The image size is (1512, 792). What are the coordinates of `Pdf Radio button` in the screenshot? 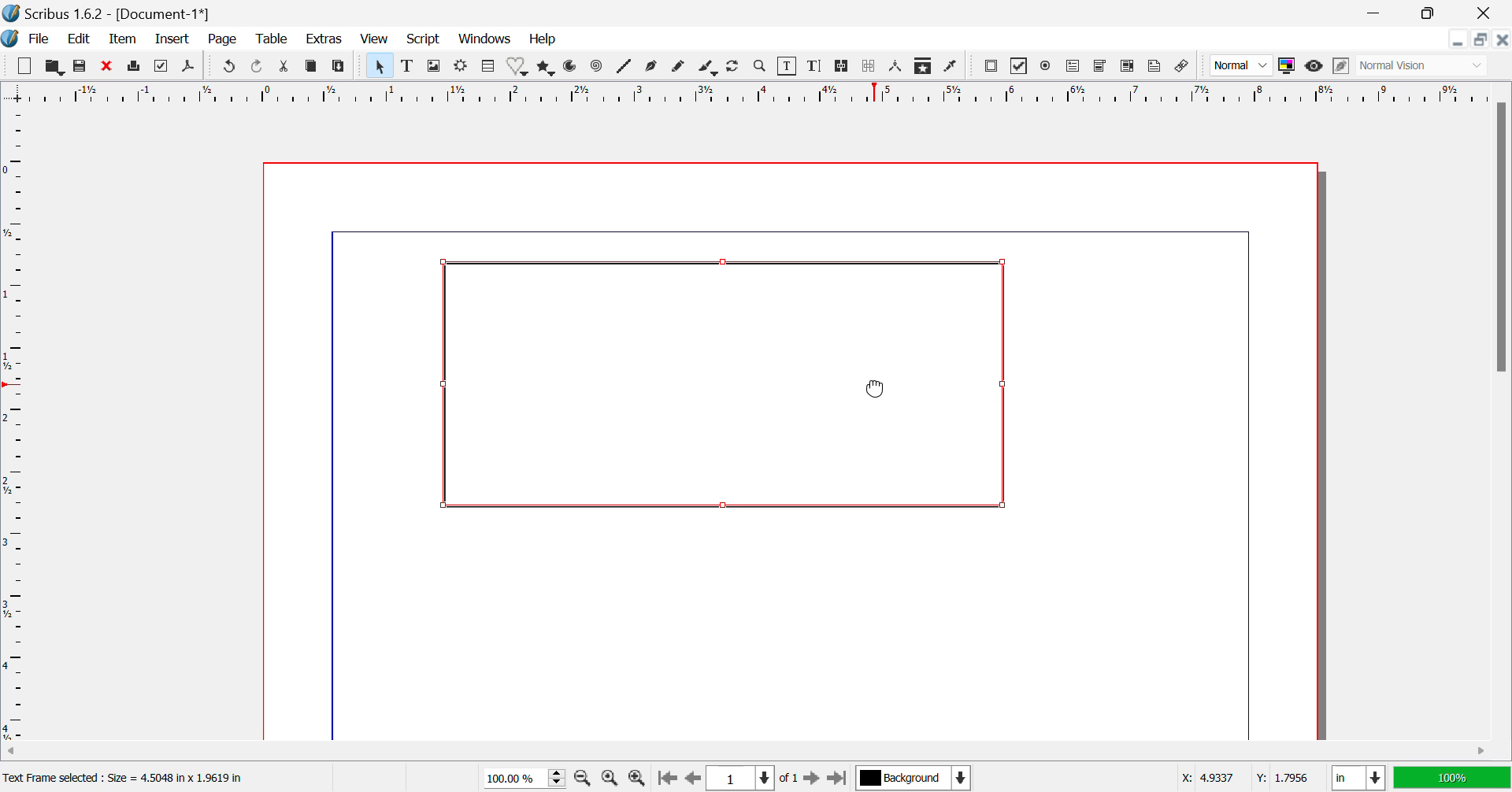 It's located at (1048, 66).